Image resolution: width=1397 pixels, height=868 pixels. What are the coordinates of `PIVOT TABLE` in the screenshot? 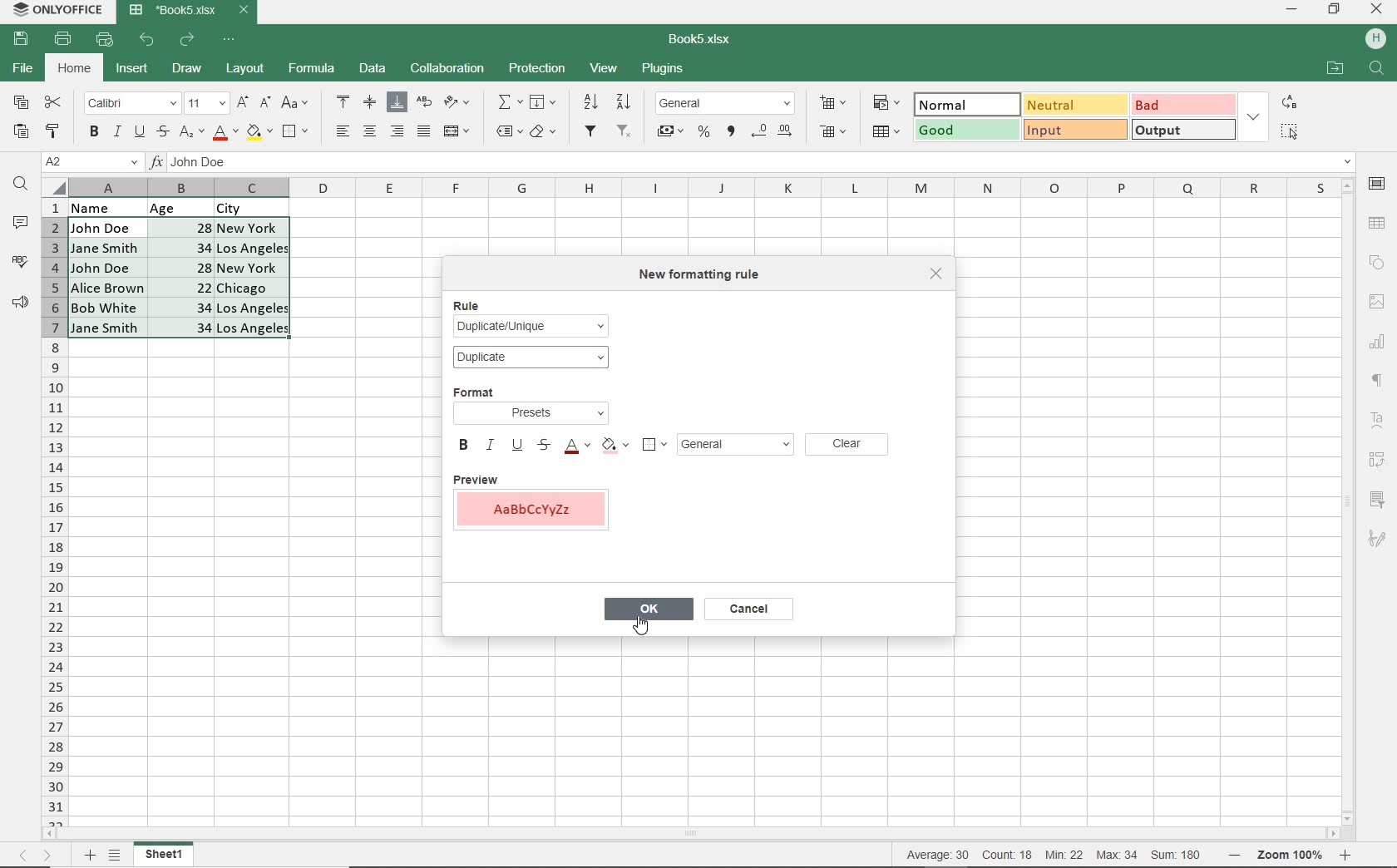 It's located at (1379, 460).